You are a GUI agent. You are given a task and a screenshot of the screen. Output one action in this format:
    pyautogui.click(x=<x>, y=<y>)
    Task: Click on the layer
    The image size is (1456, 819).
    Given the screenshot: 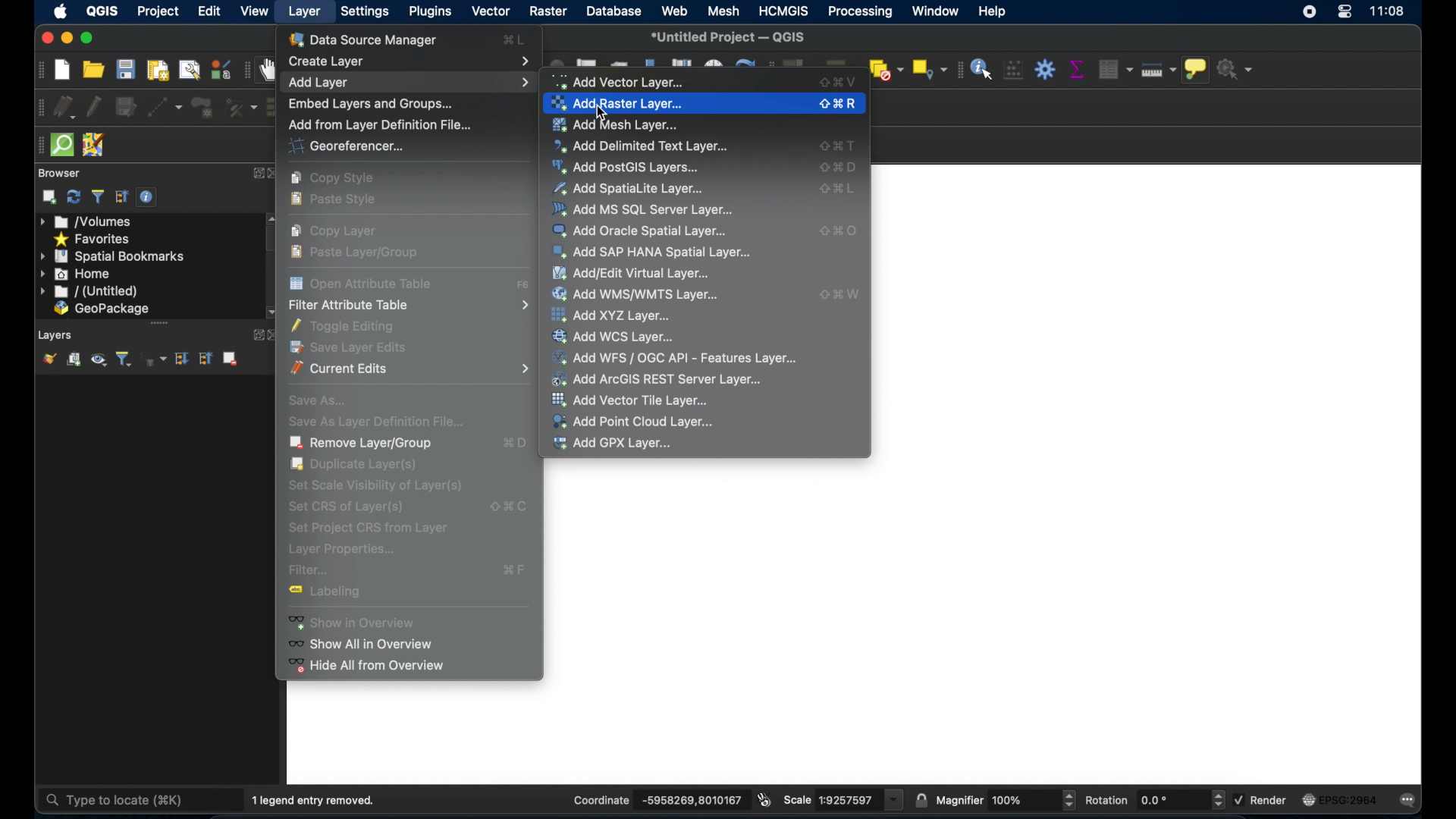 What is the action you would take?
    pyautogui.click(x=307, y=14)
    